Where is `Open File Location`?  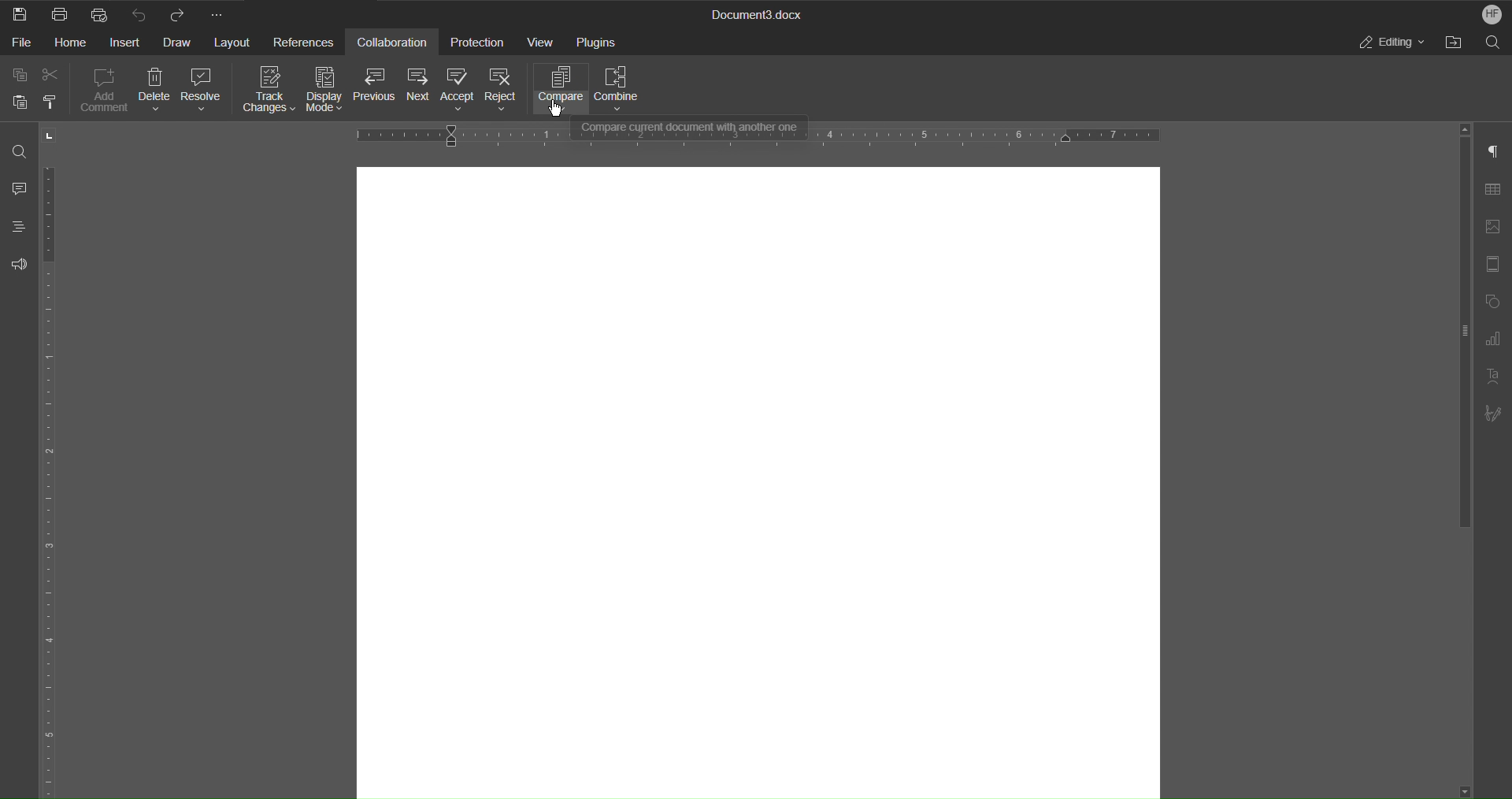 Open File Location is located at coordinates (1453, 43).